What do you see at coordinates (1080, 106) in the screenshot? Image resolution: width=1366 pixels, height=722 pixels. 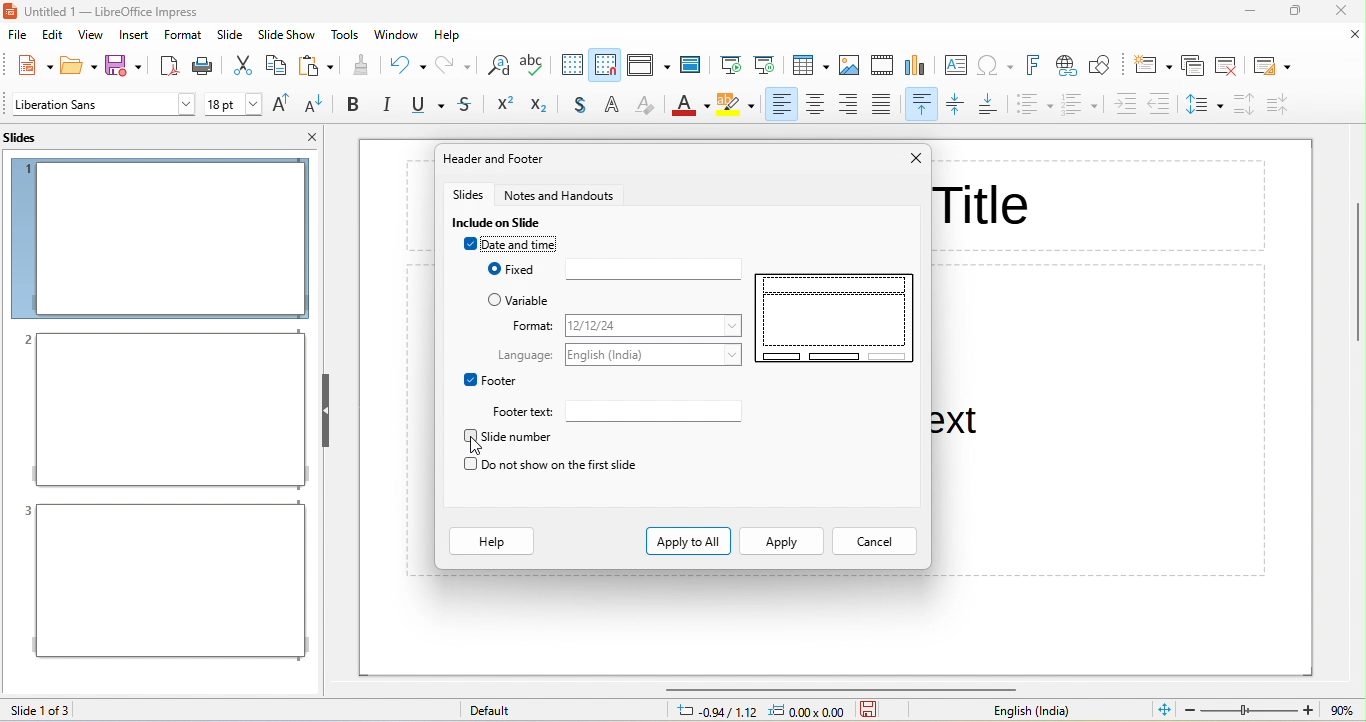 I see `ordered list` at bounding box center [1080, 106].